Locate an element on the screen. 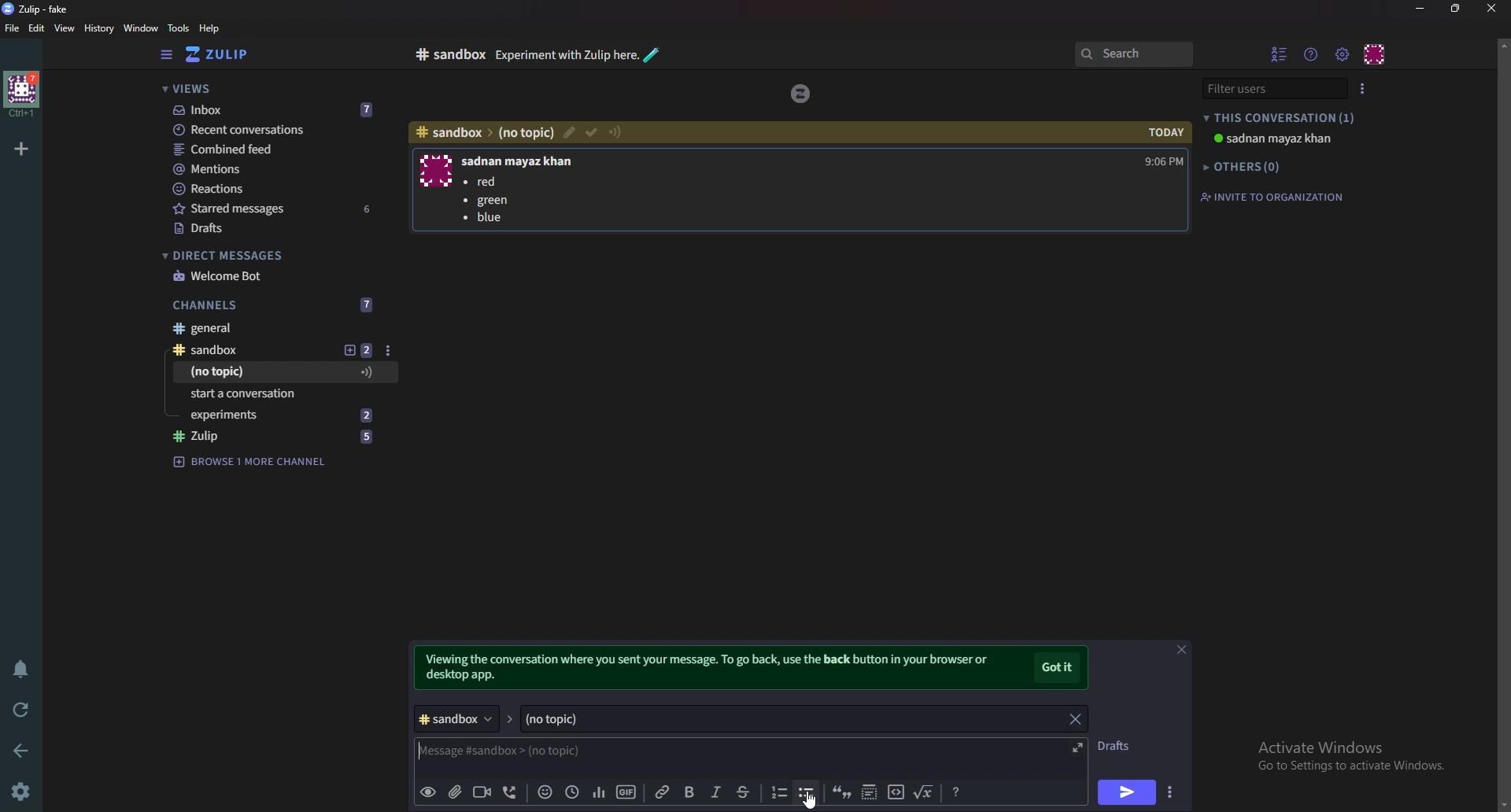  views is located at coordinates (277, 90).